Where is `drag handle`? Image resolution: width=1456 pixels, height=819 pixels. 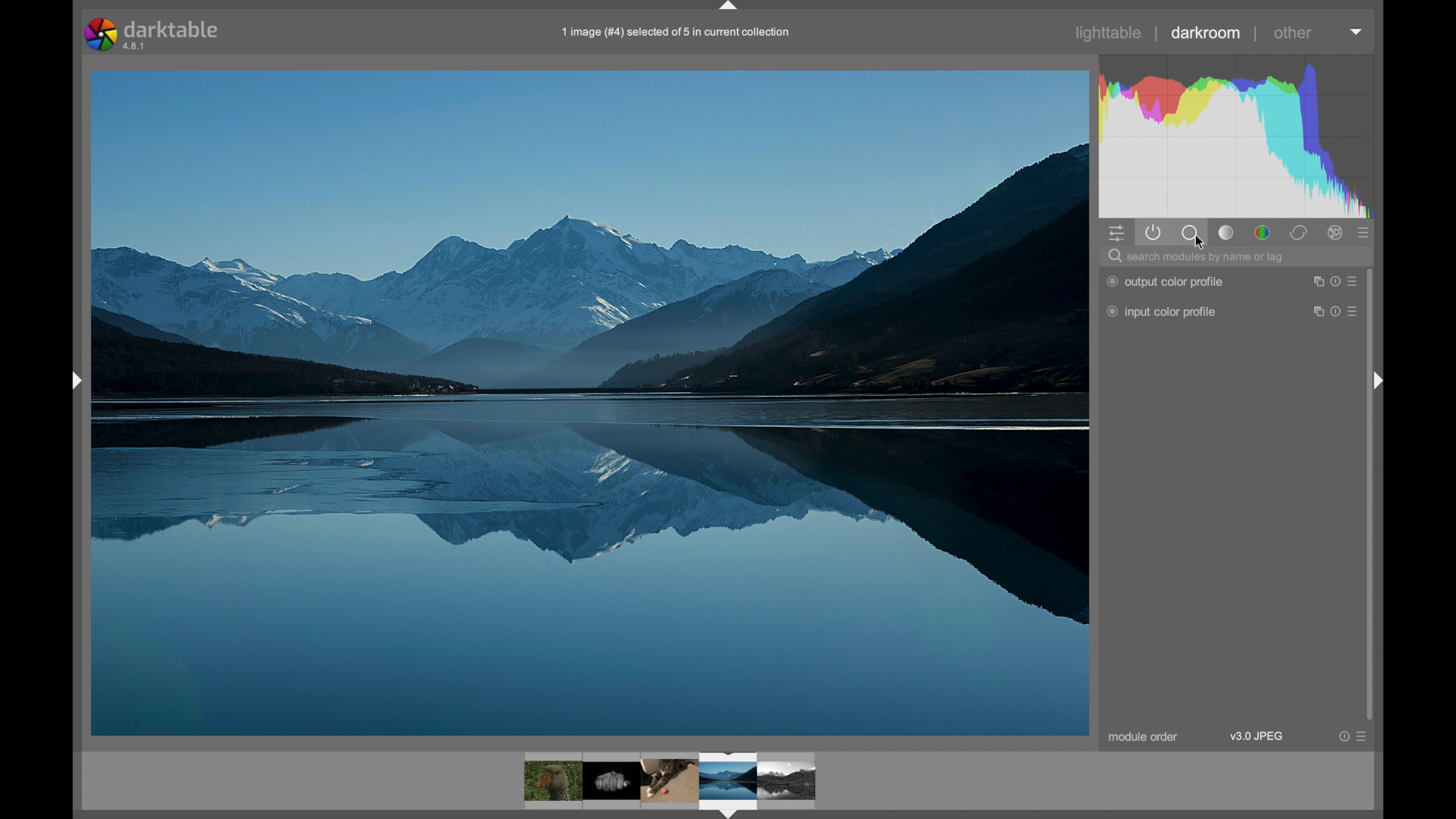
drag handle is located at coordinates (1378, 382).